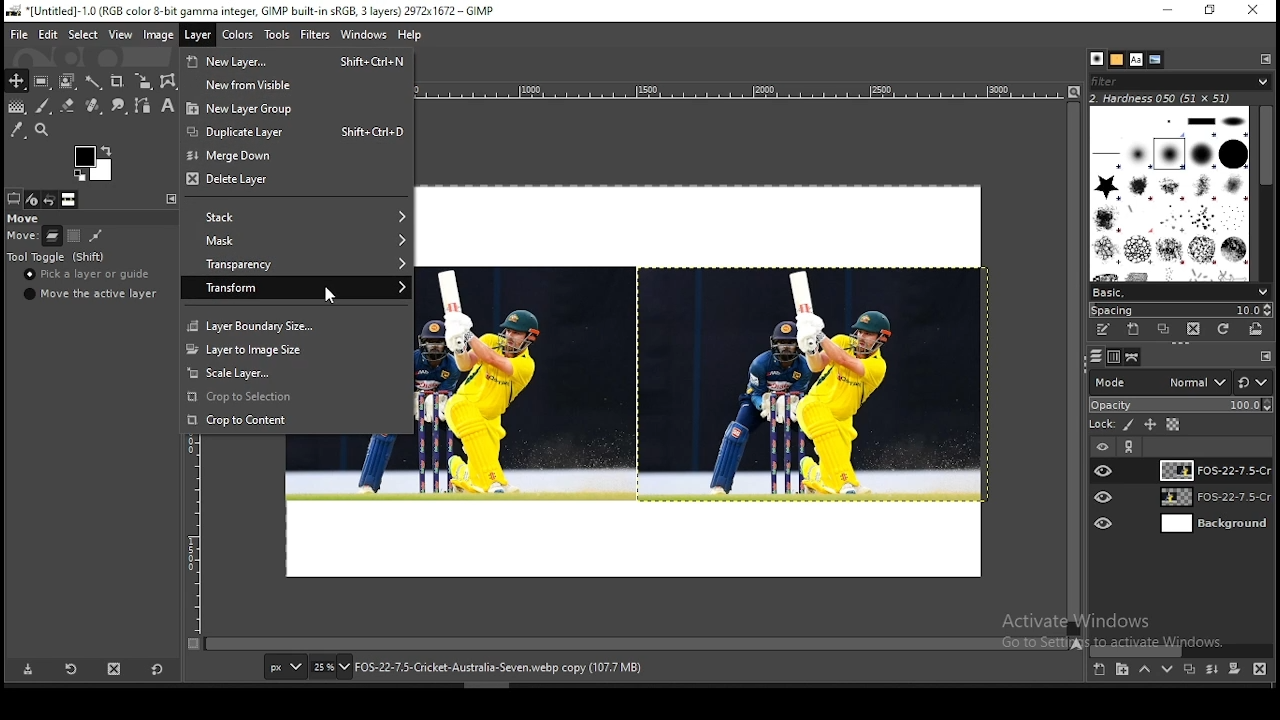 This screenshot has height=720, width=1280. Describe the element at coordinates (363, 35) in the screenshot. I see `windows` at that location.